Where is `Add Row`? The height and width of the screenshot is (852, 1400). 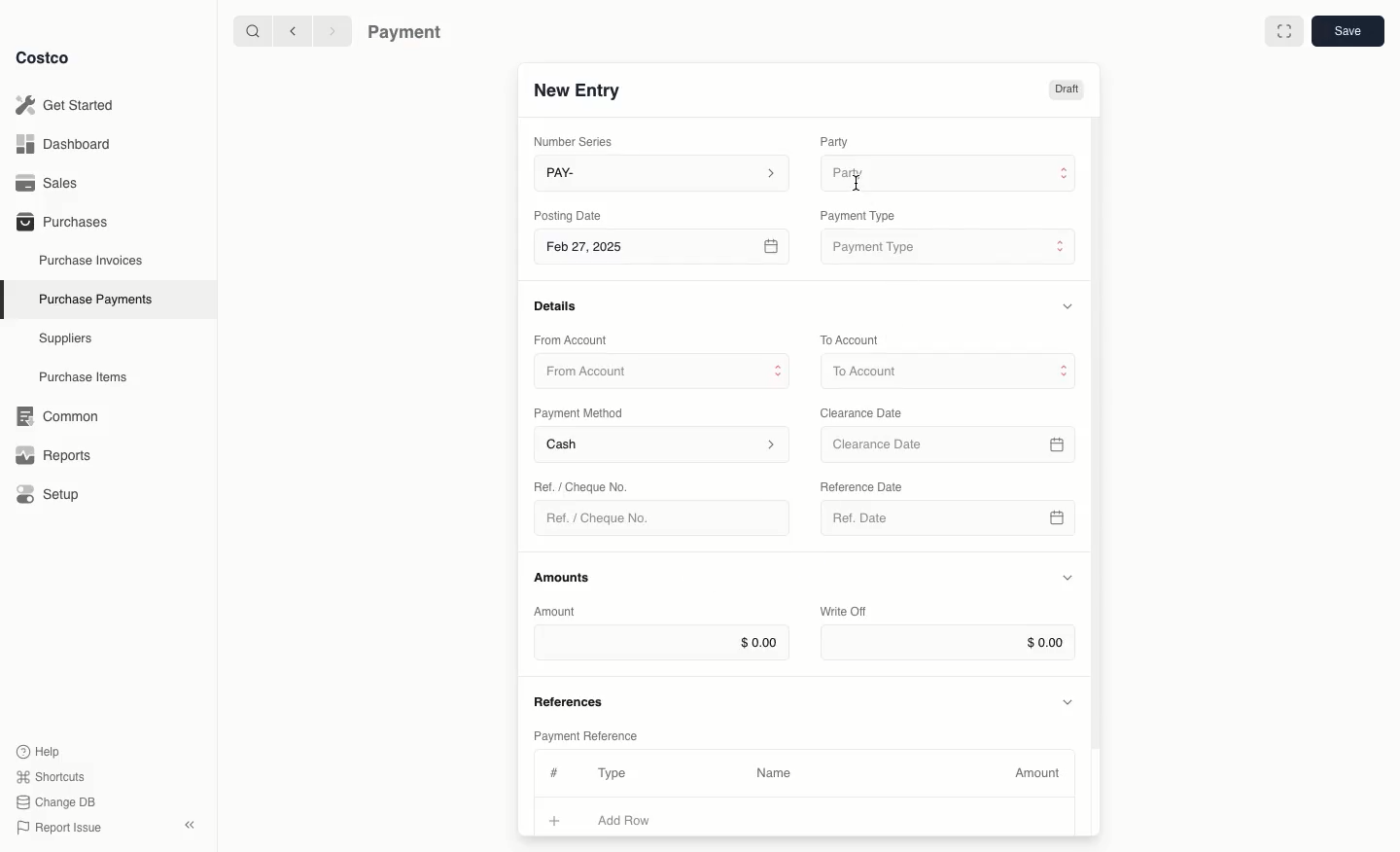 Add Row is located at coordinates (637, 820).